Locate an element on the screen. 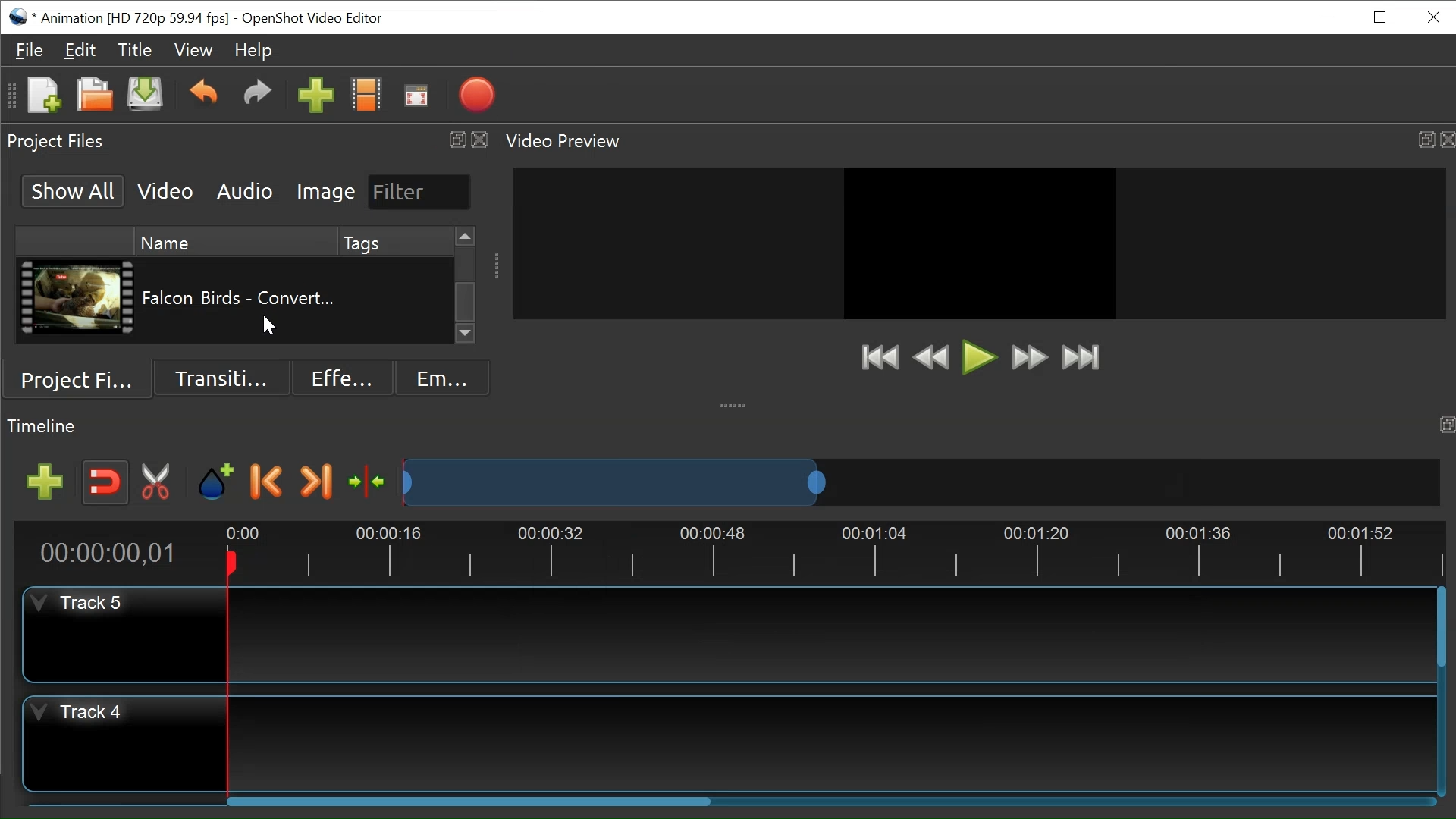  Project Files Panel is located at coordinates (58, 142).